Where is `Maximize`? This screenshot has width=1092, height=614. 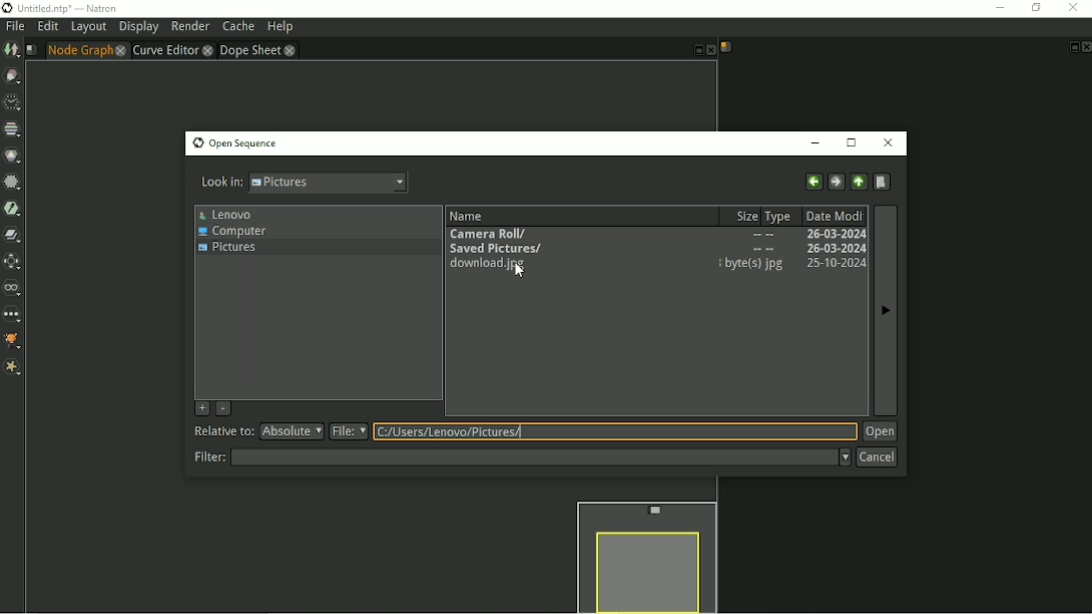 Maximize is located at coordinates (854, 143).